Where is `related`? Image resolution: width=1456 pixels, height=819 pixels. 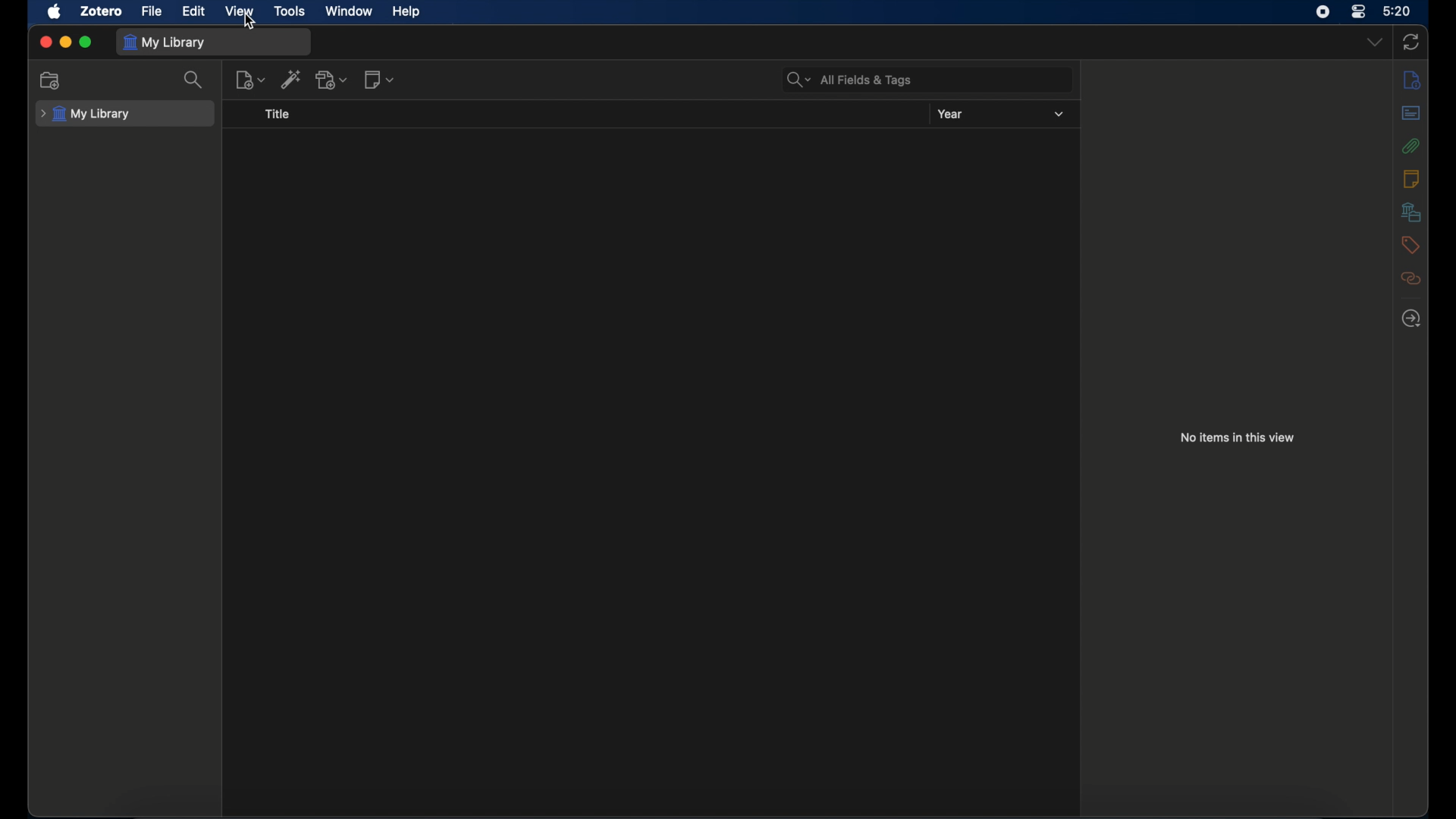
related is located at coordinates (1411, 278).